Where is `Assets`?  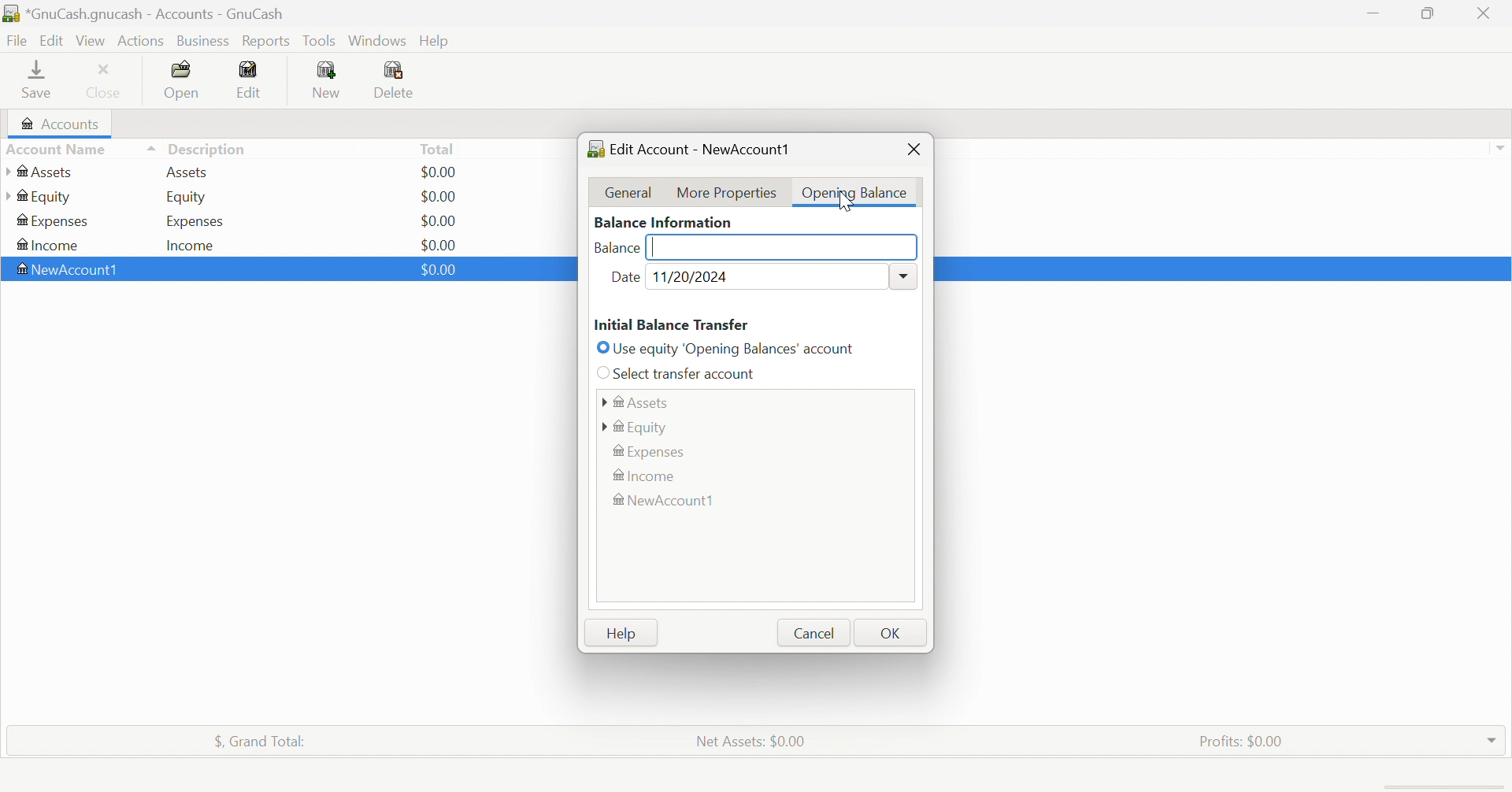 Assets is located at coordinates (193, 172).